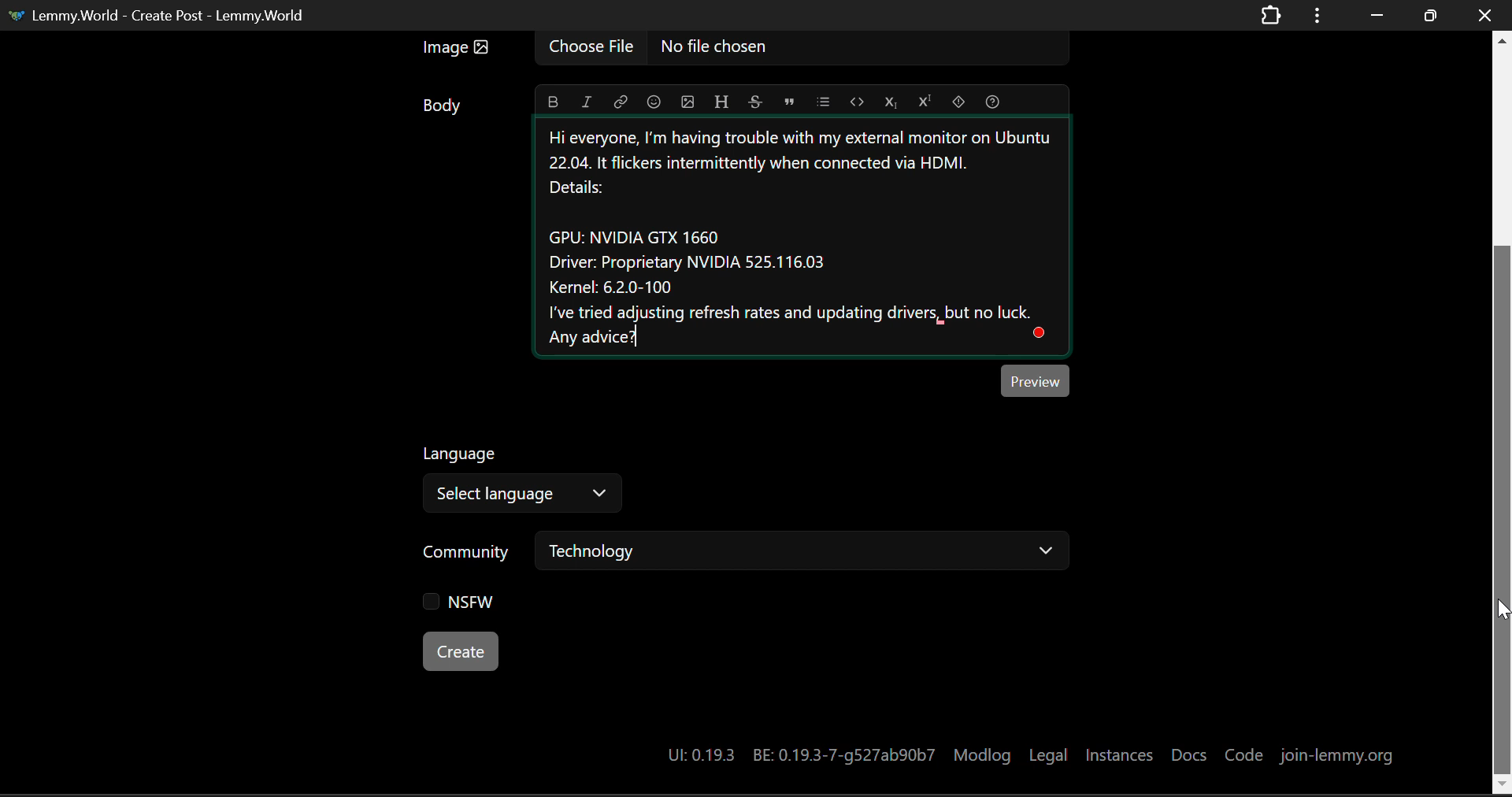 This screenshot has width=1512, height=797. Describe the element at coordinates (554, 102) in the screenshot. I see `Bold` at that location.